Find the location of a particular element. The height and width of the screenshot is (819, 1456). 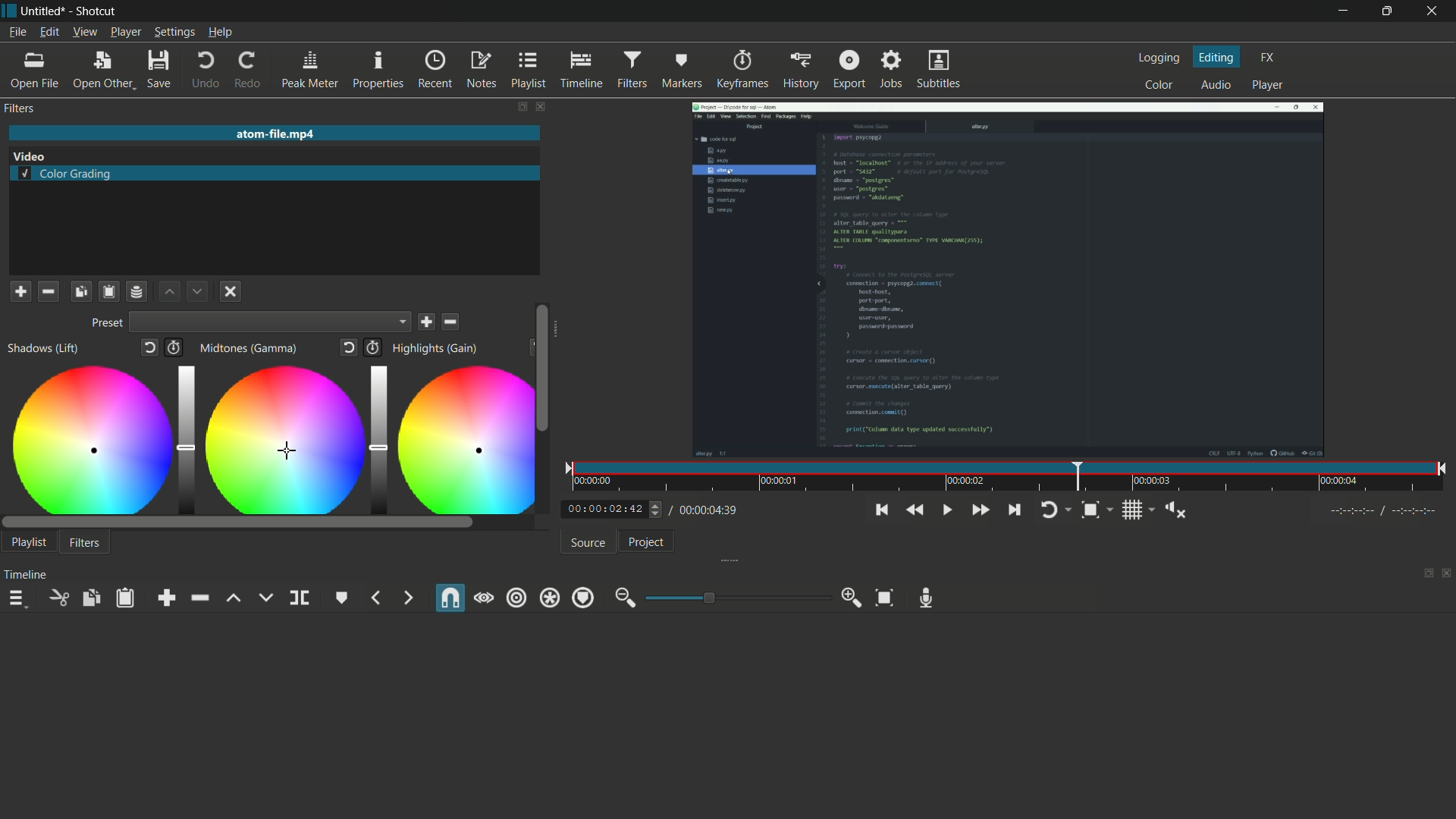

jobs is located at coordinates (892, 68).